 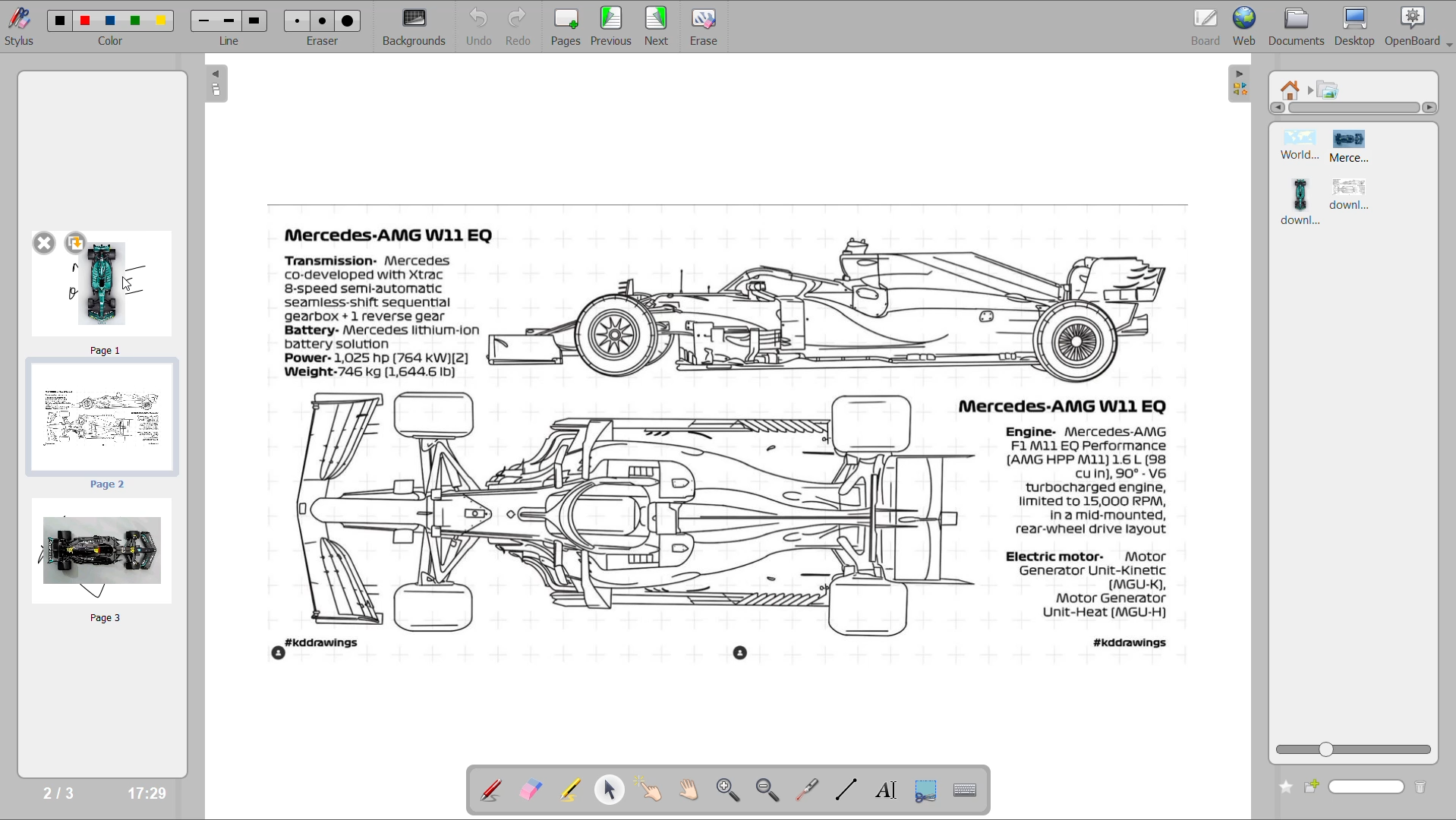 I want to click on delete, so click(x=1424, y=785).